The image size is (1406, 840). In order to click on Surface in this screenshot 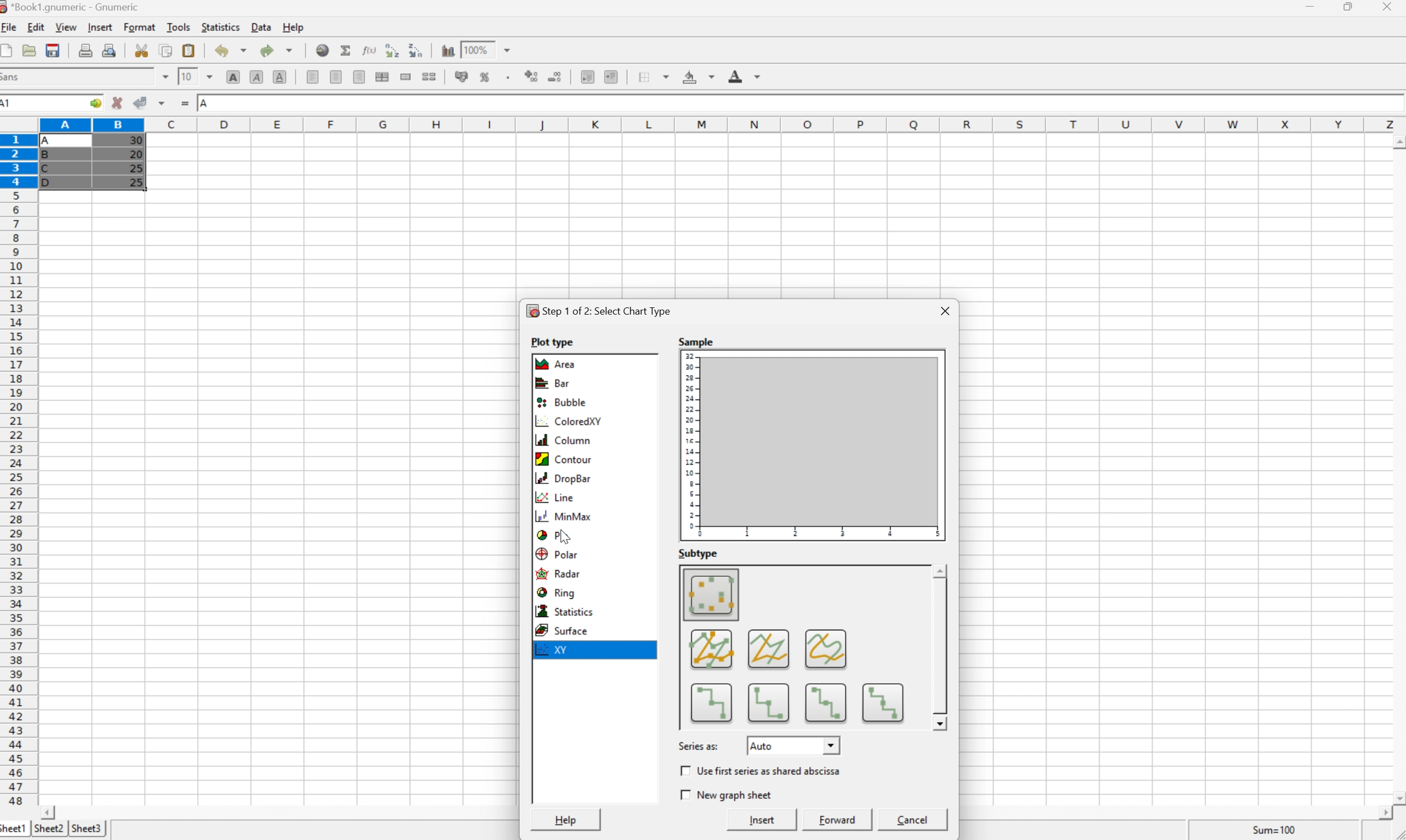, I will do `click(561, 631)`.